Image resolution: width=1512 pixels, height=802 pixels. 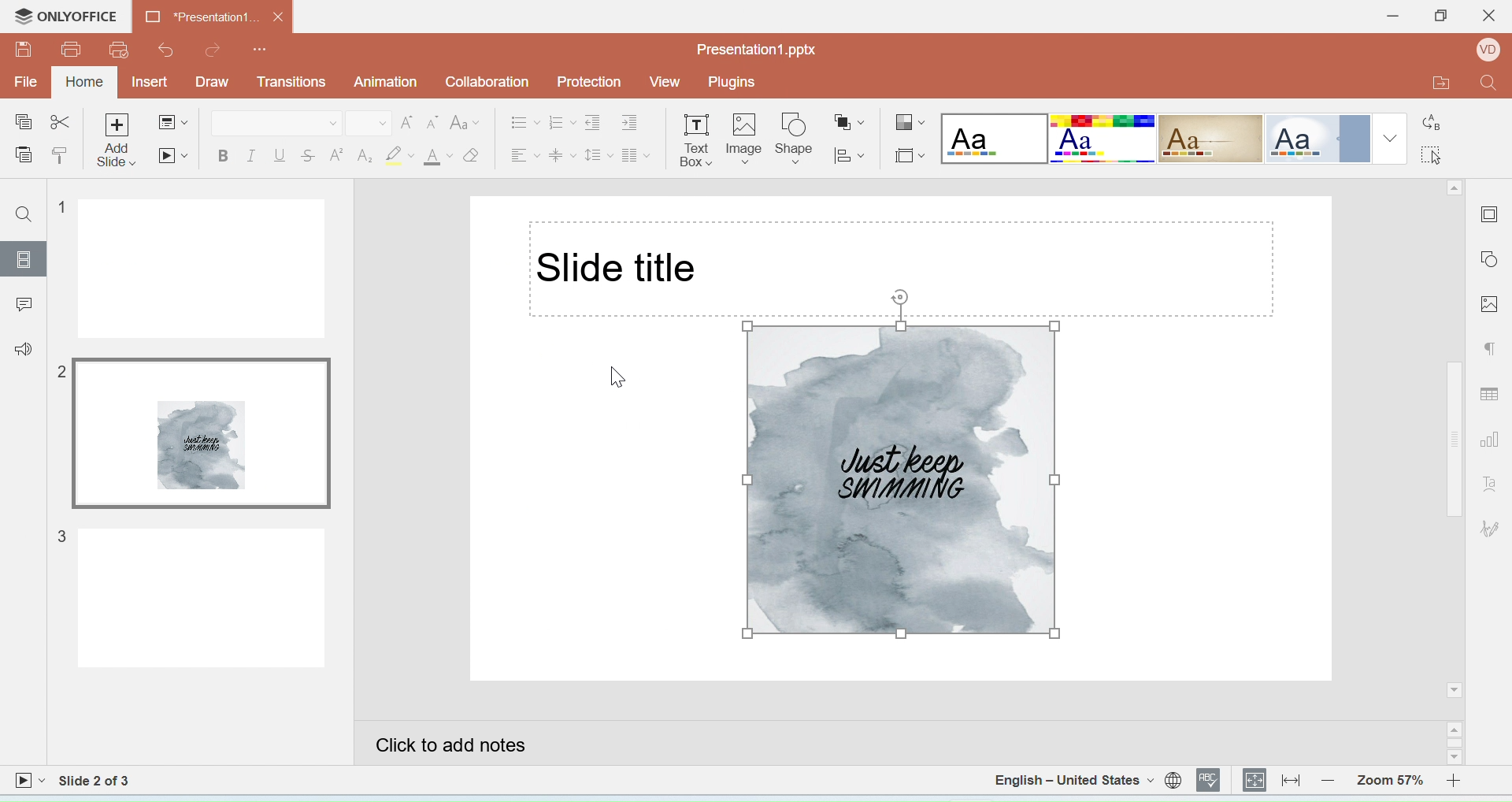 I want to click on Arrange shape, so click(x=851, y=117).